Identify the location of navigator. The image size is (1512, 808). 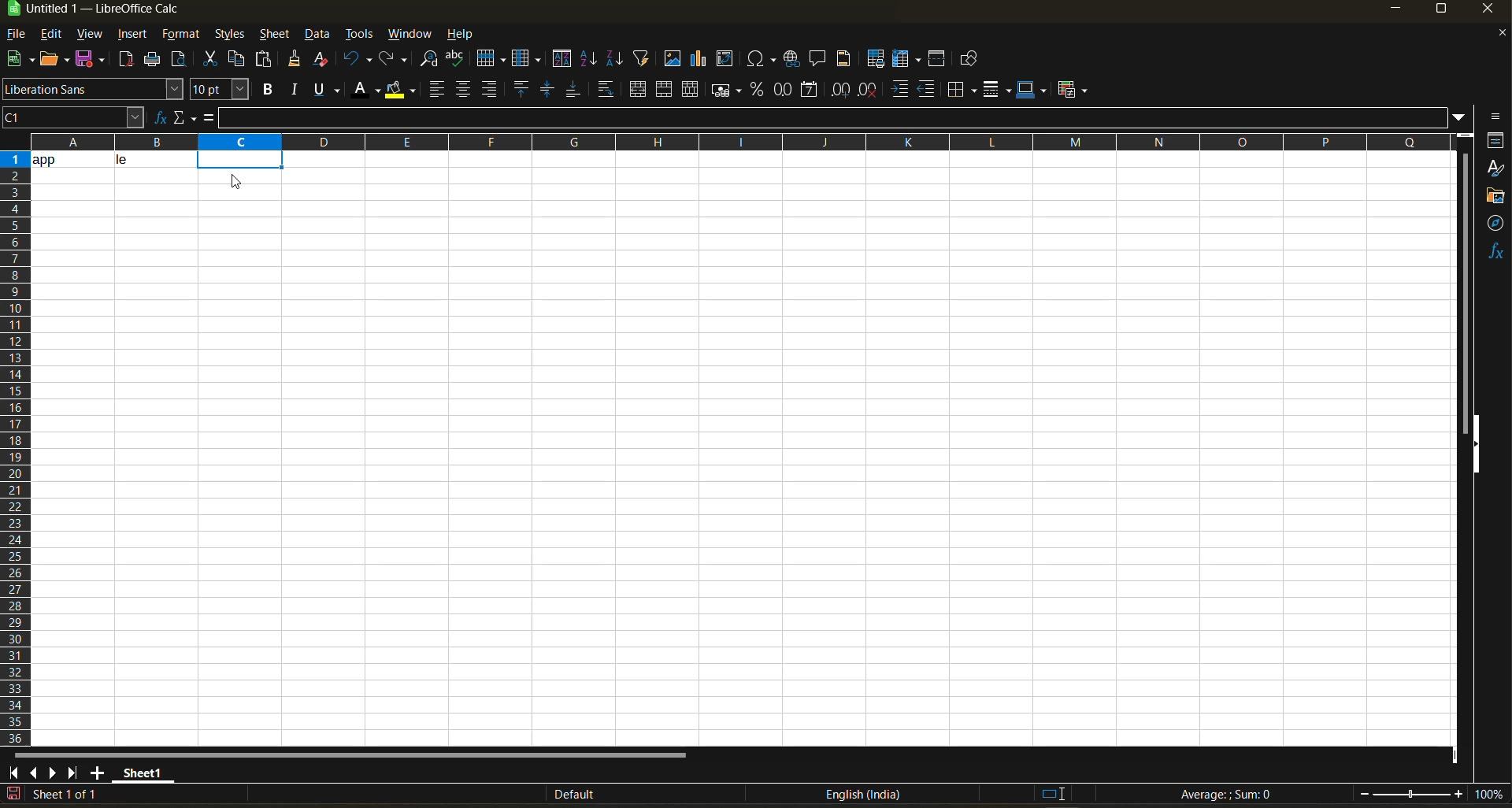
(1496, 223).